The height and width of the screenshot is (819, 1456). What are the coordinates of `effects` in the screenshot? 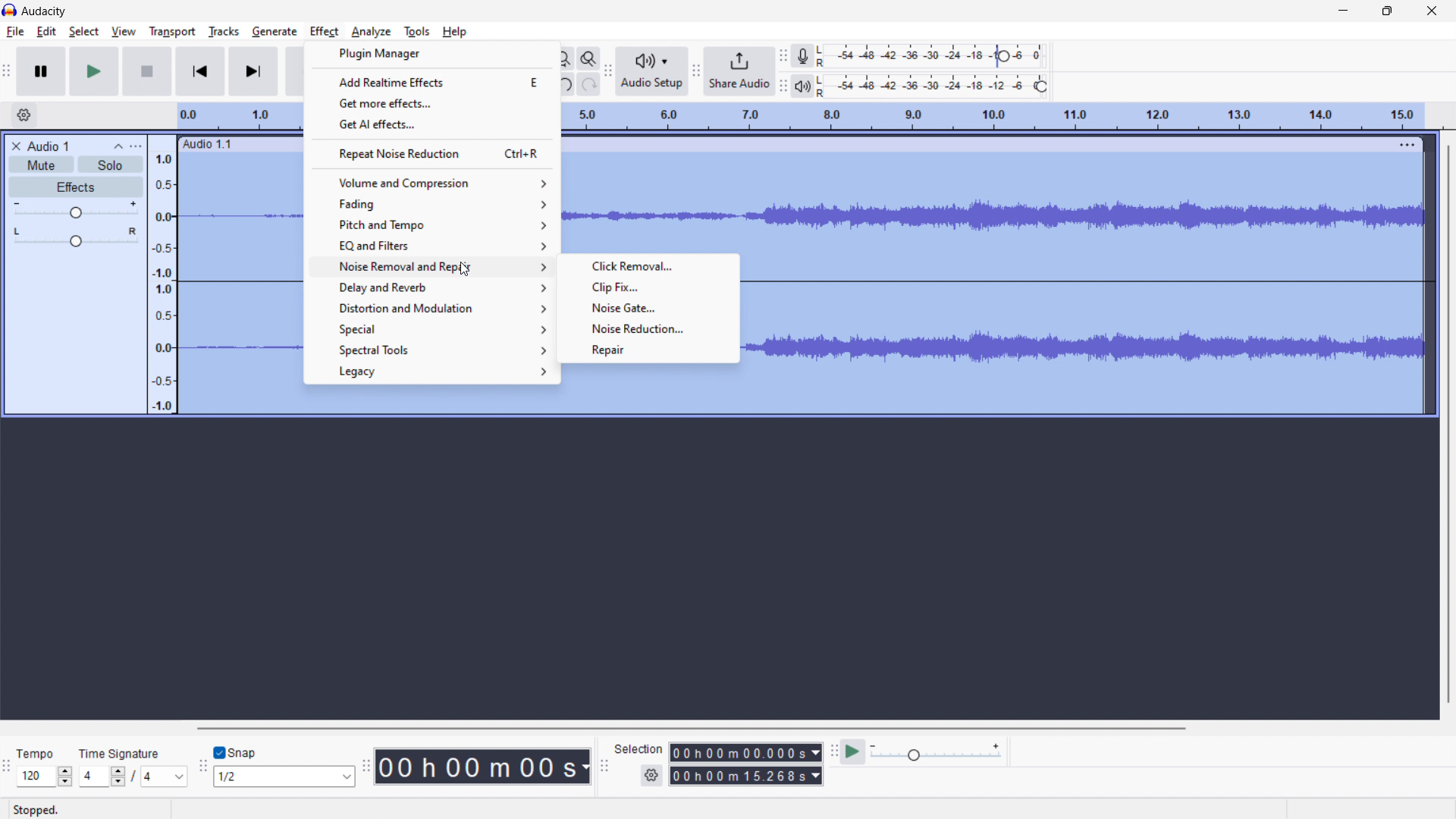 It's located at (77, 187).